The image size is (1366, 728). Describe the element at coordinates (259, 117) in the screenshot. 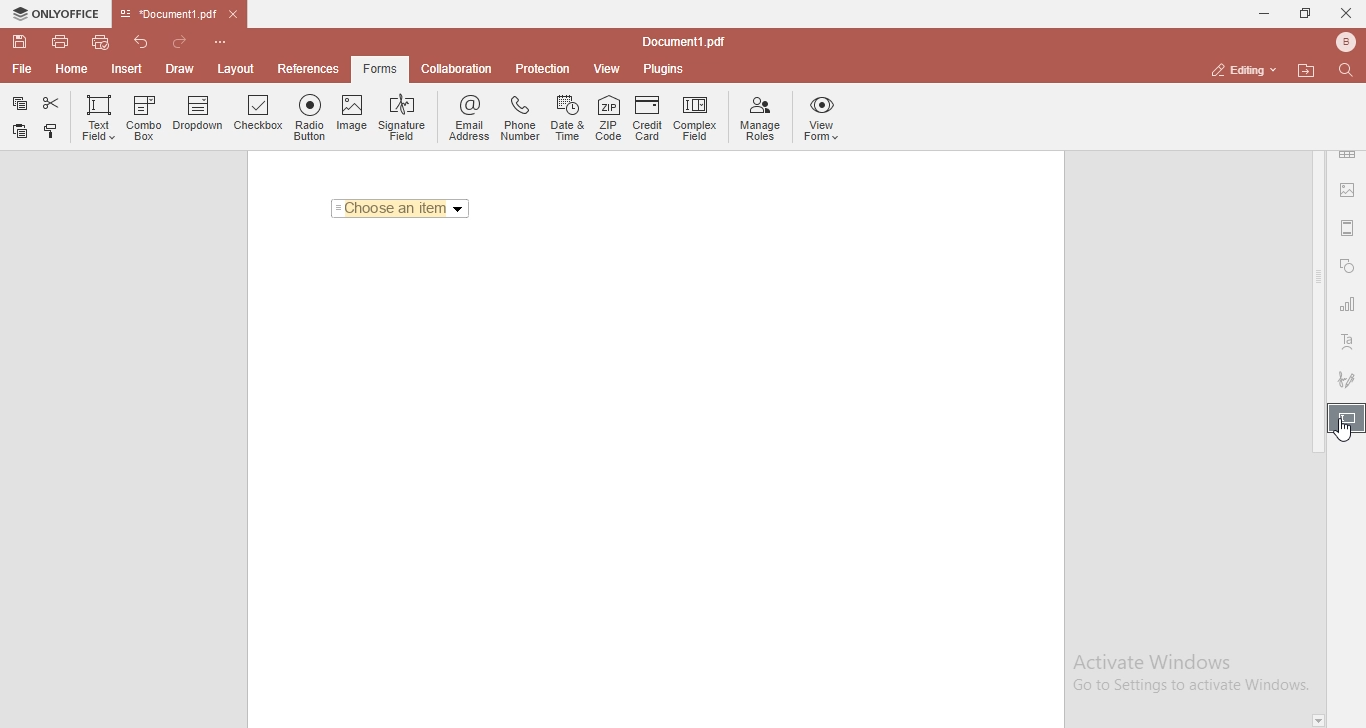

I see `checkbox` at that location.